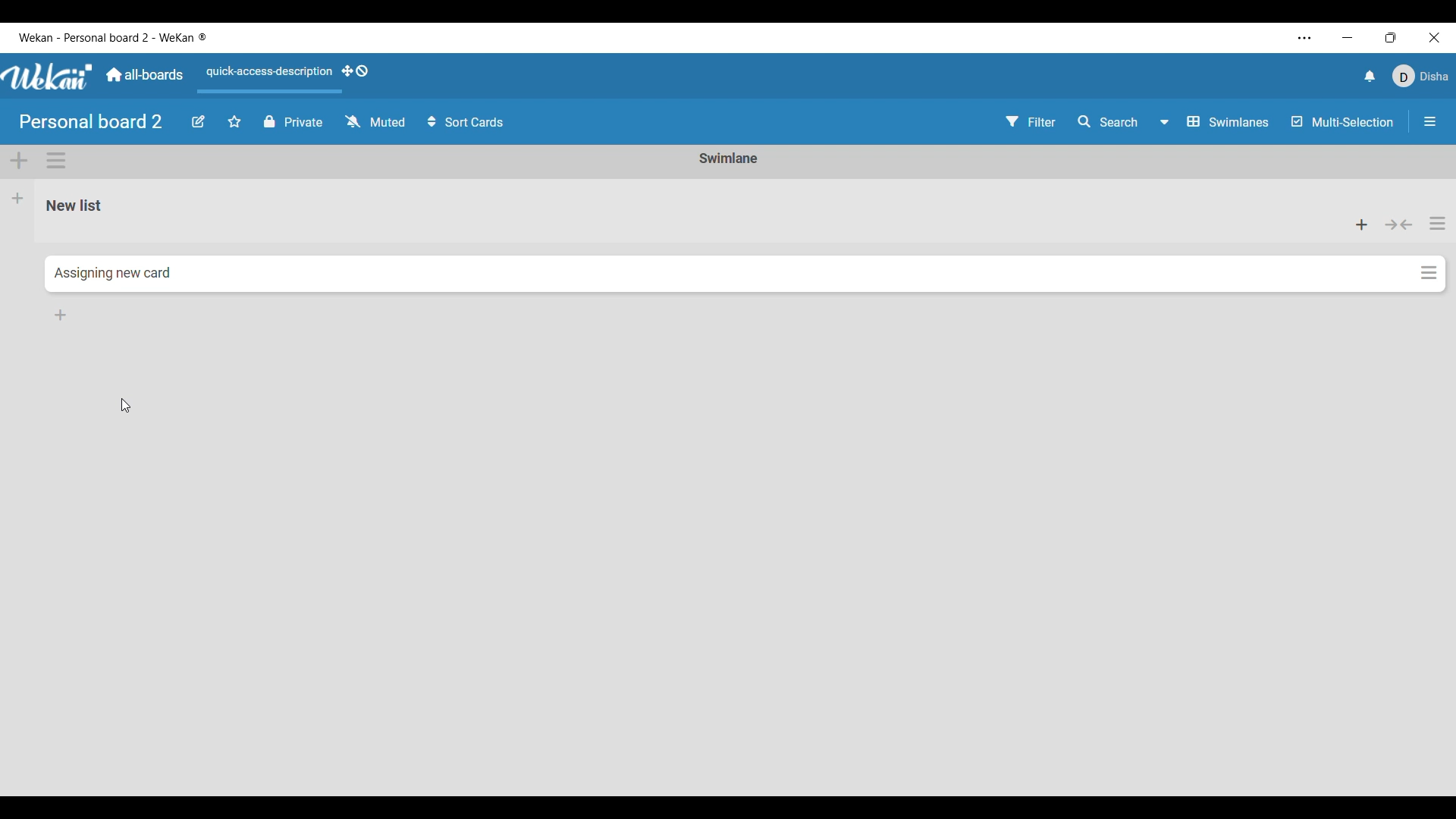 The image size is (1456, 819). What do you see at coordinates (1421, 76) in the screenshot?
I see `Current account` at bounding box center [1421, 76].